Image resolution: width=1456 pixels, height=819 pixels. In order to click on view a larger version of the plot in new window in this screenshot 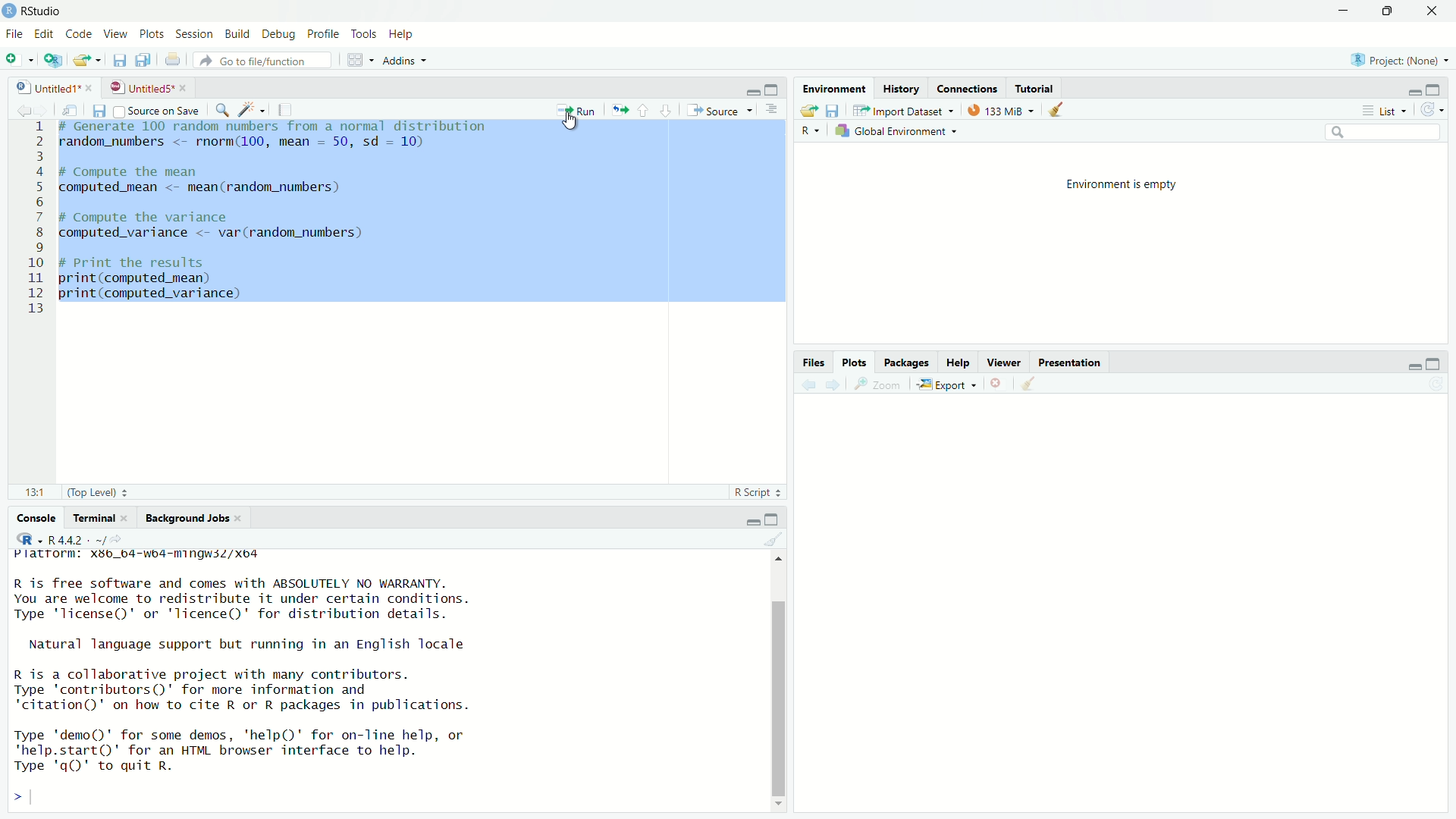, I will do `click(881, 387)`.